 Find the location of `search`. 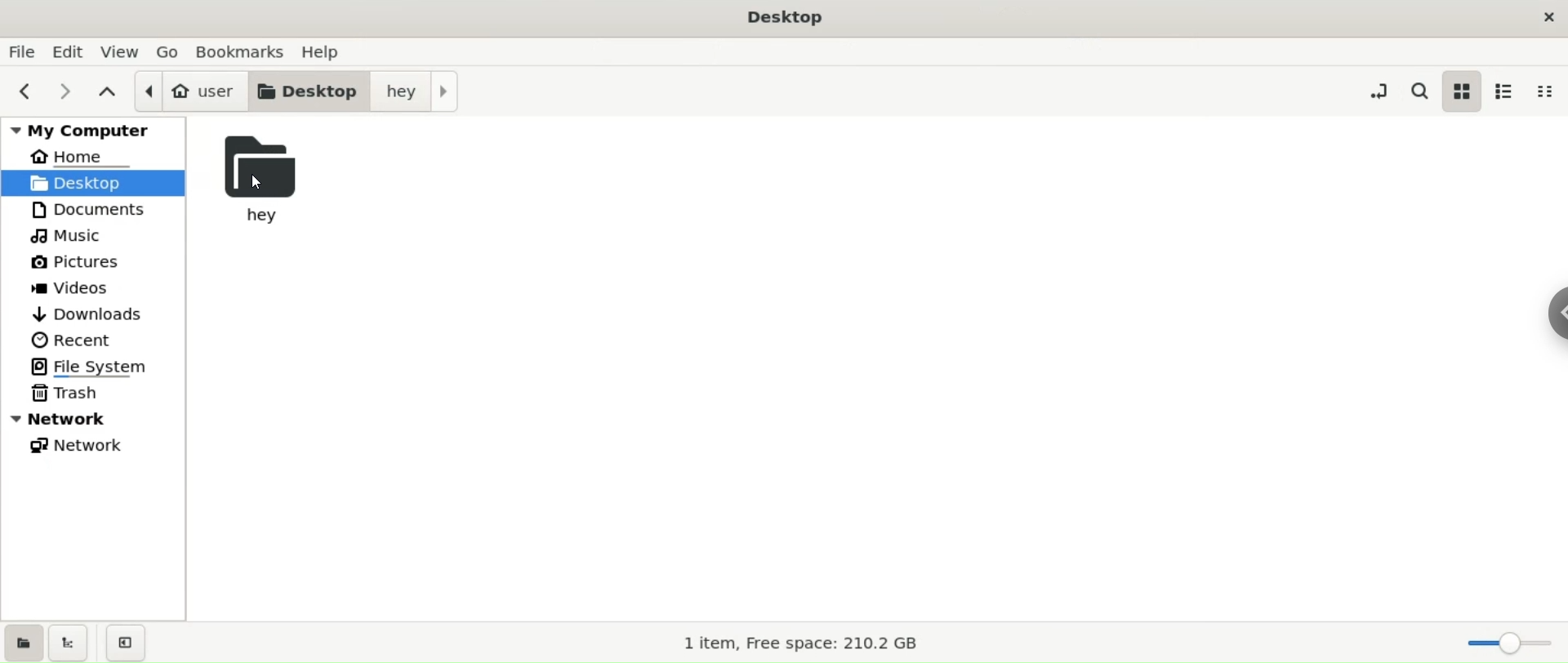

search is located at coordinates (1417, 91).